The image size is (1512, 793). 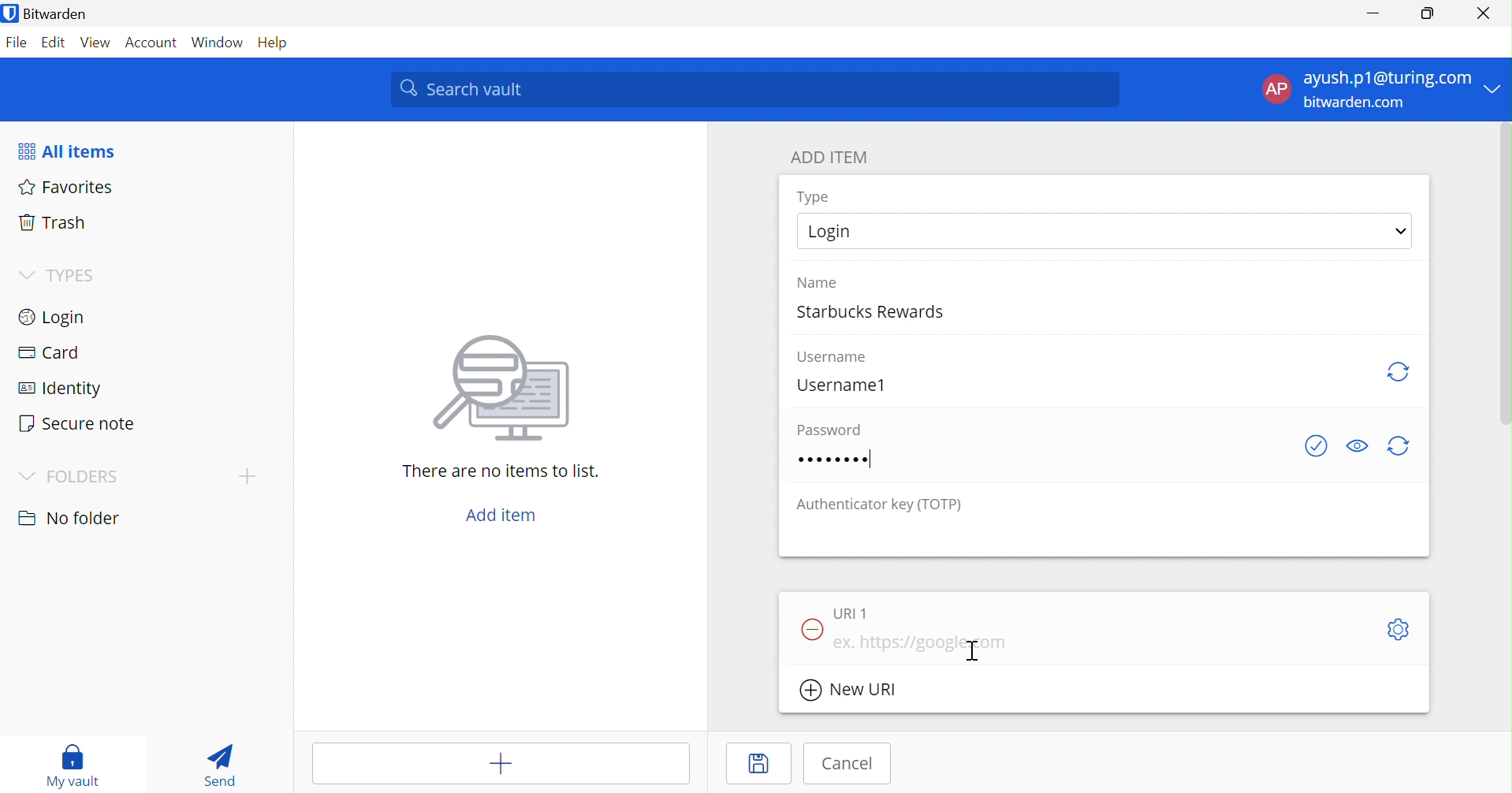 What do you see at coordinates (28, 276) in the screenshot?
I see `Drop Down` at bounding box center [28, 276].